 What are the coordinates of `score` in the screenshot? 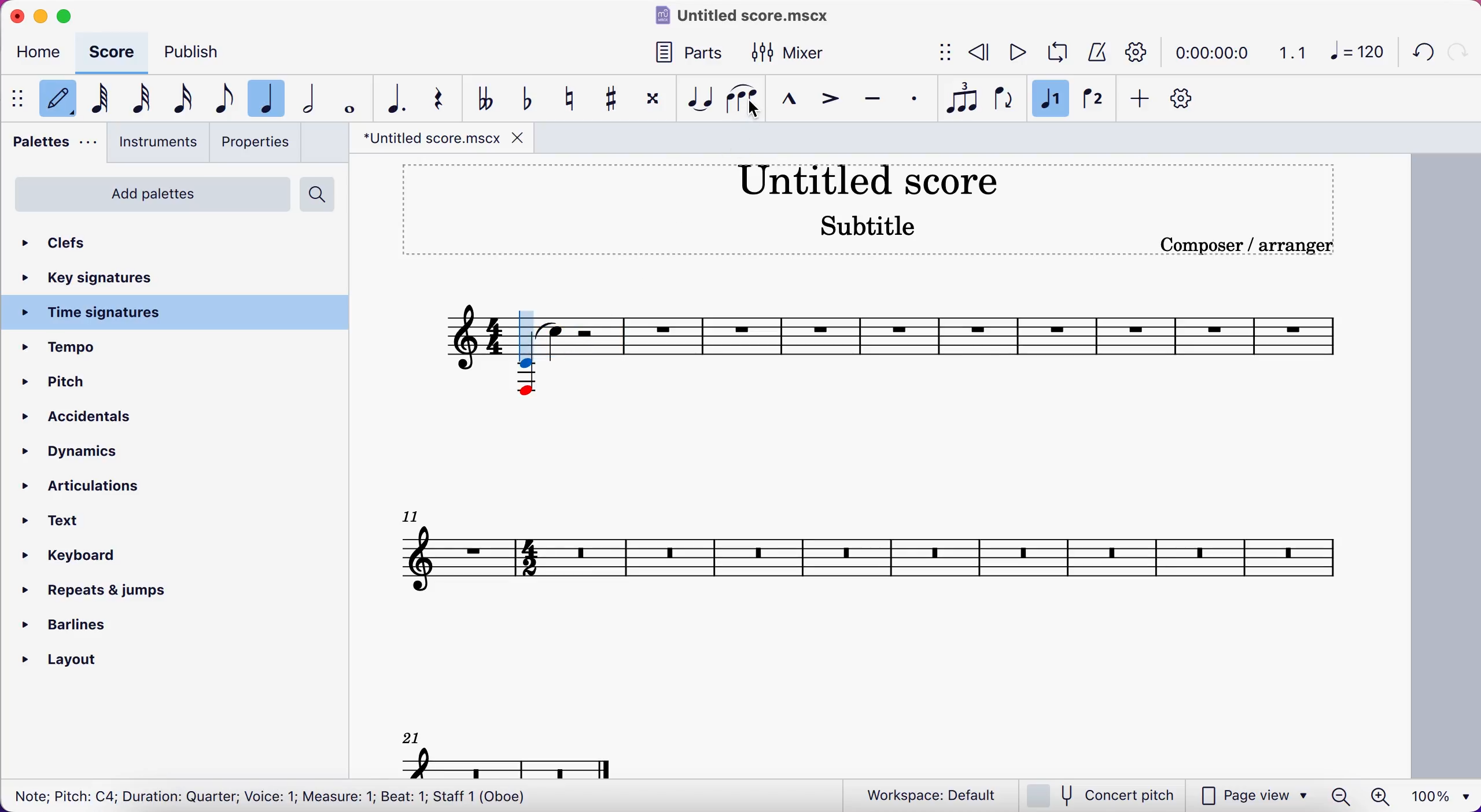 It's located at (116, 55).